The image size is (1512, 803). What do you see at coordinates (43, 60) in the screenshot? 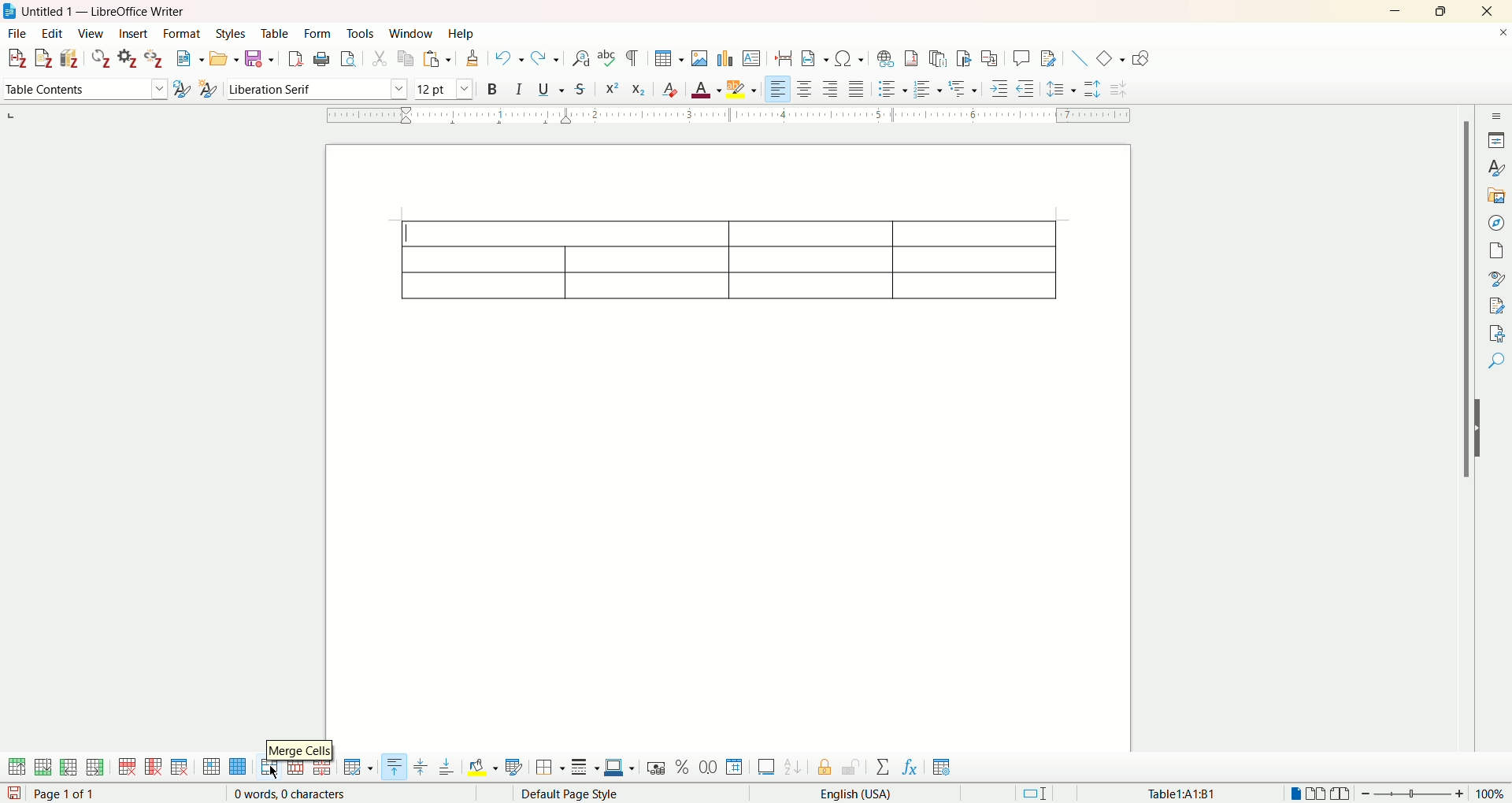
I see `add note` at bounding box center [43, 60].